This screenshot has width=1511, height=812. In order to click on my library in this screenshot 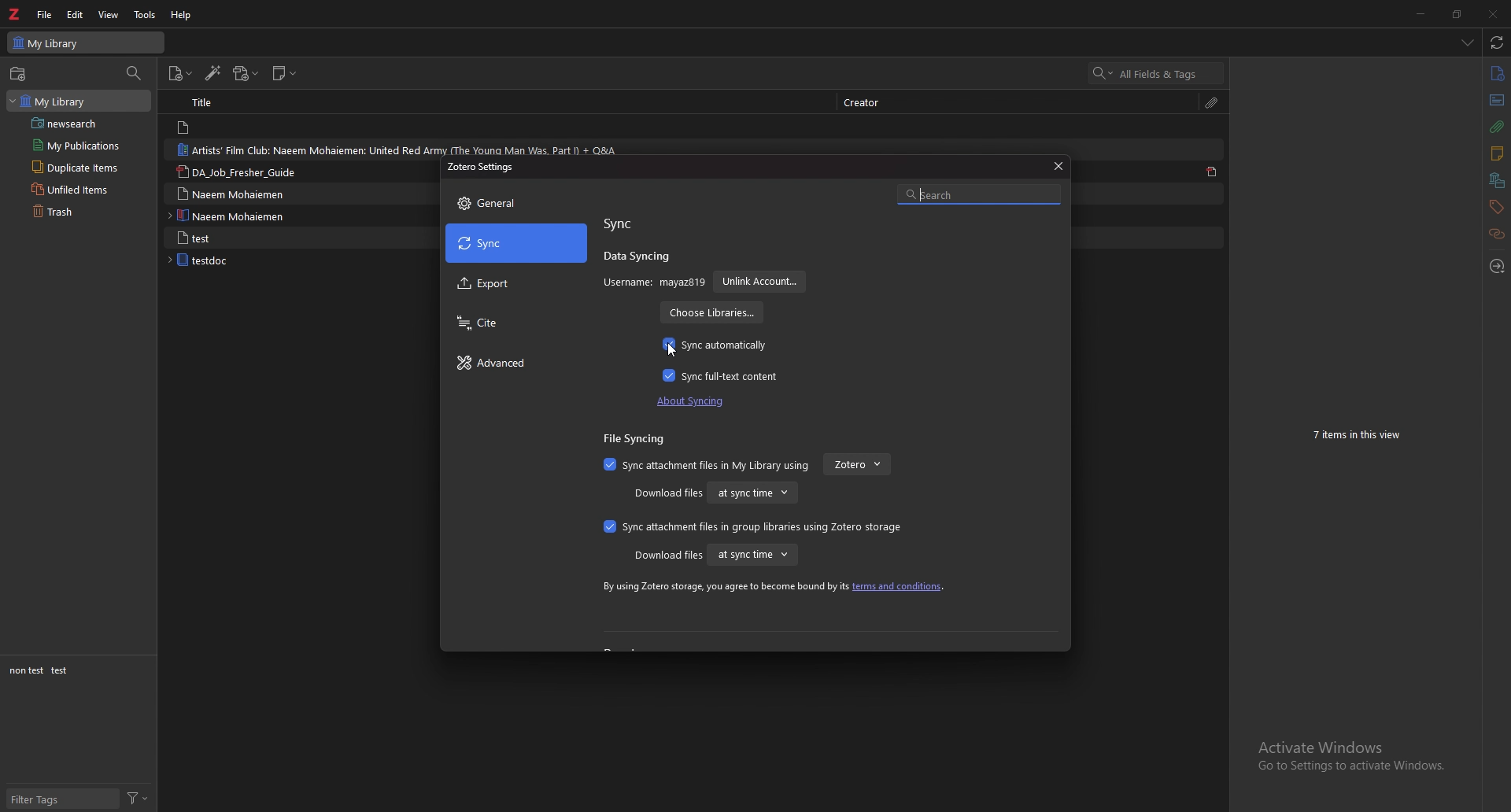, I will do `click(88, 42)`.